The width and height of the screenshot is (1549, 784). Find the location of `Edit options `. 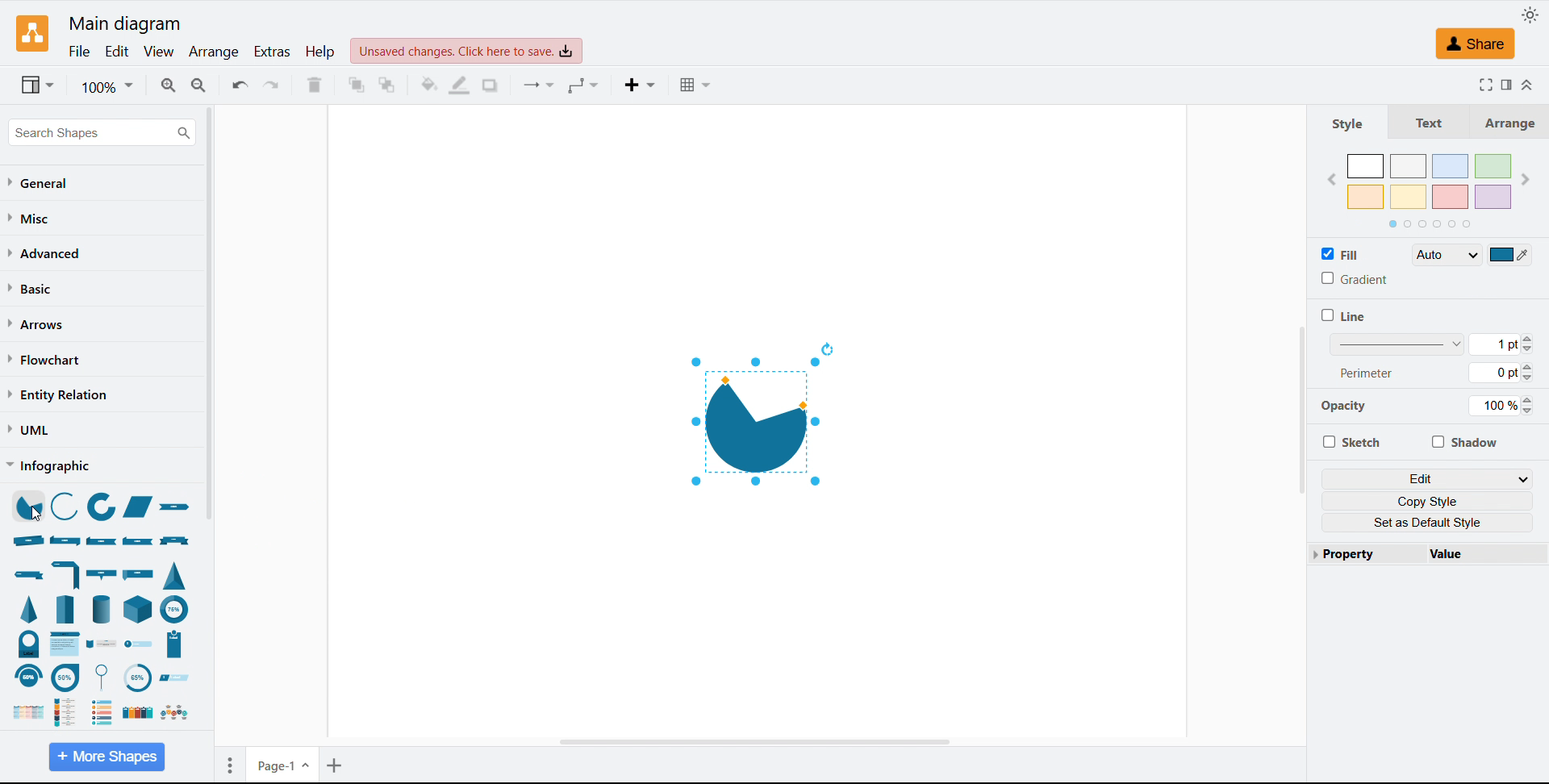

Edit options  is located at coordinates (1428, 478).